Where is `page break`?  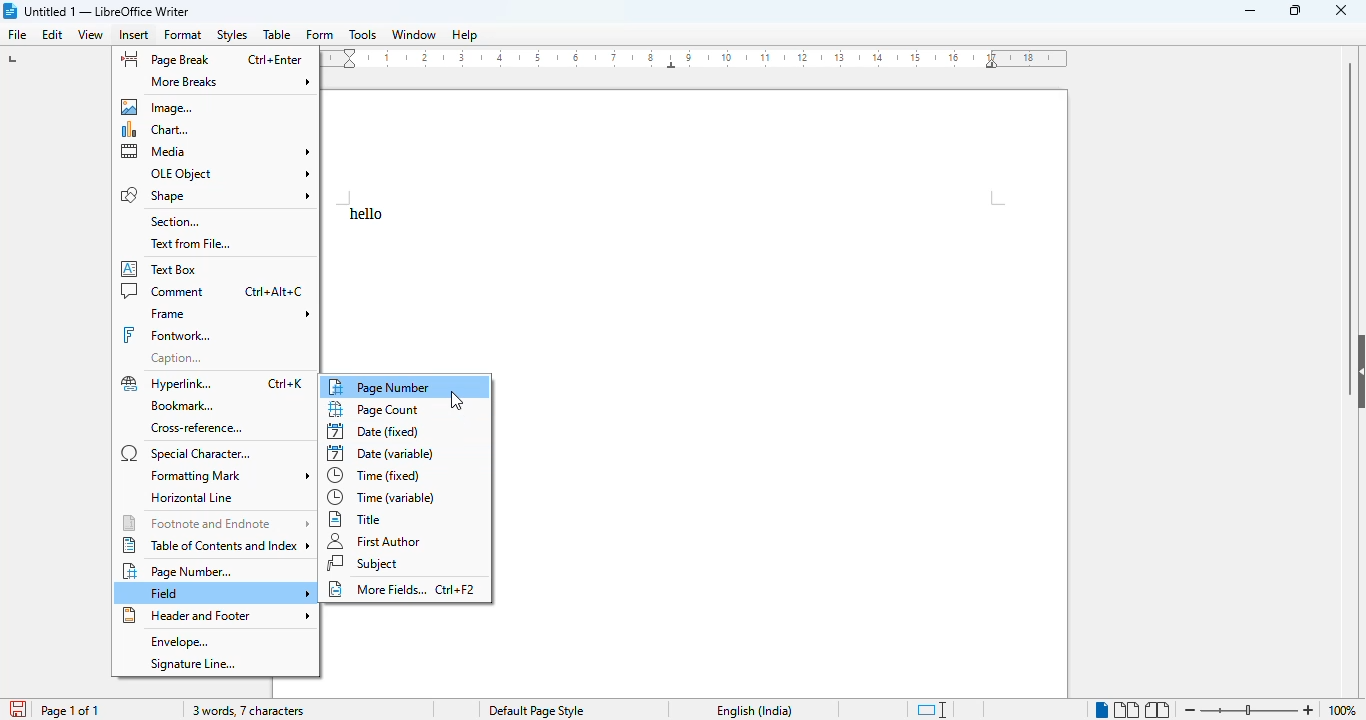 page break is located at coordinates (165, 59).